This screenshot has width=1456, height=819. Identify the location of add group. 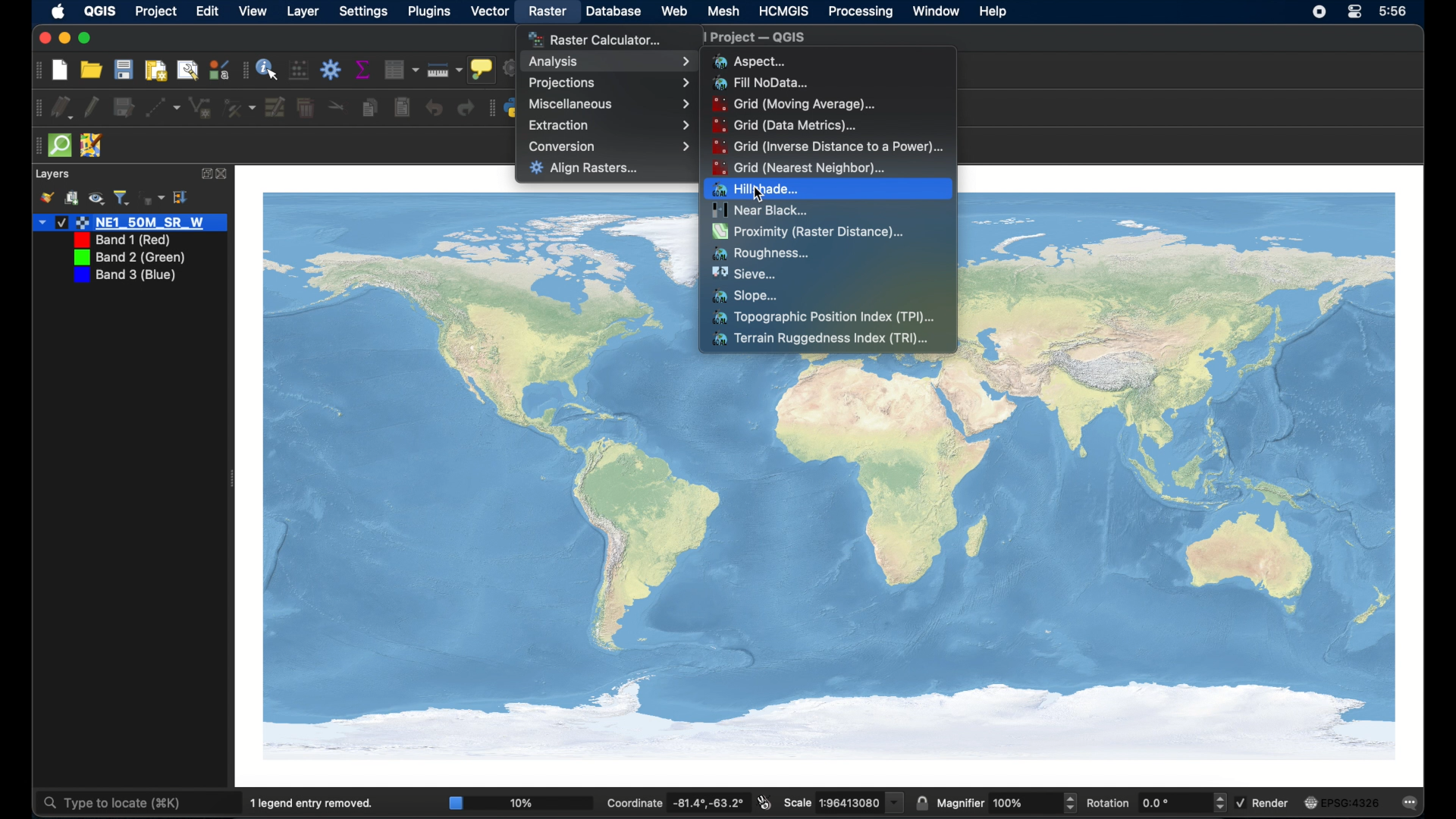
(72, 197).